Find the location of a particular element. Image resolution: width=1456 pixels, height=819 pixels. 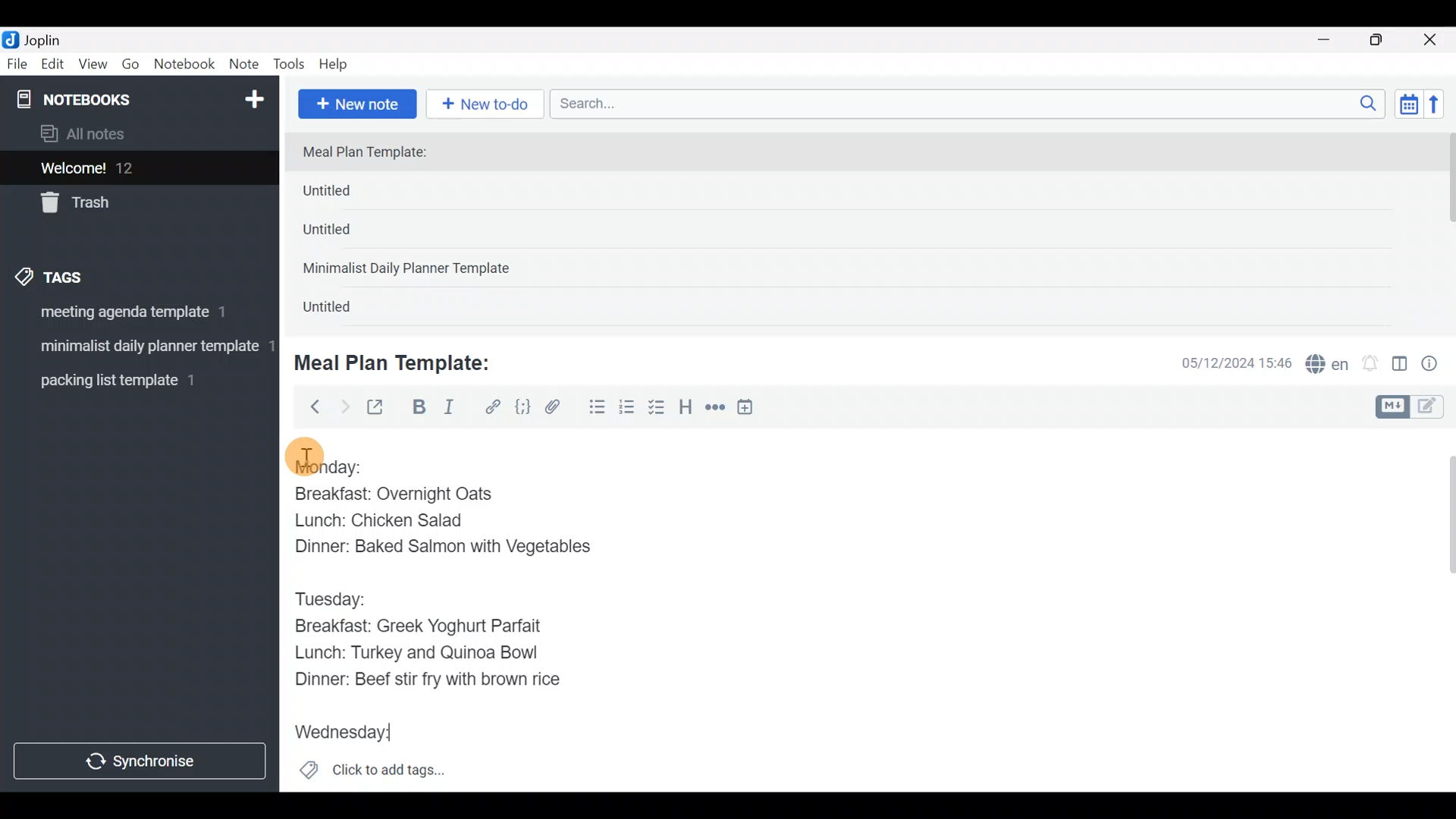

Monday: is located at coordinates (322, 470).